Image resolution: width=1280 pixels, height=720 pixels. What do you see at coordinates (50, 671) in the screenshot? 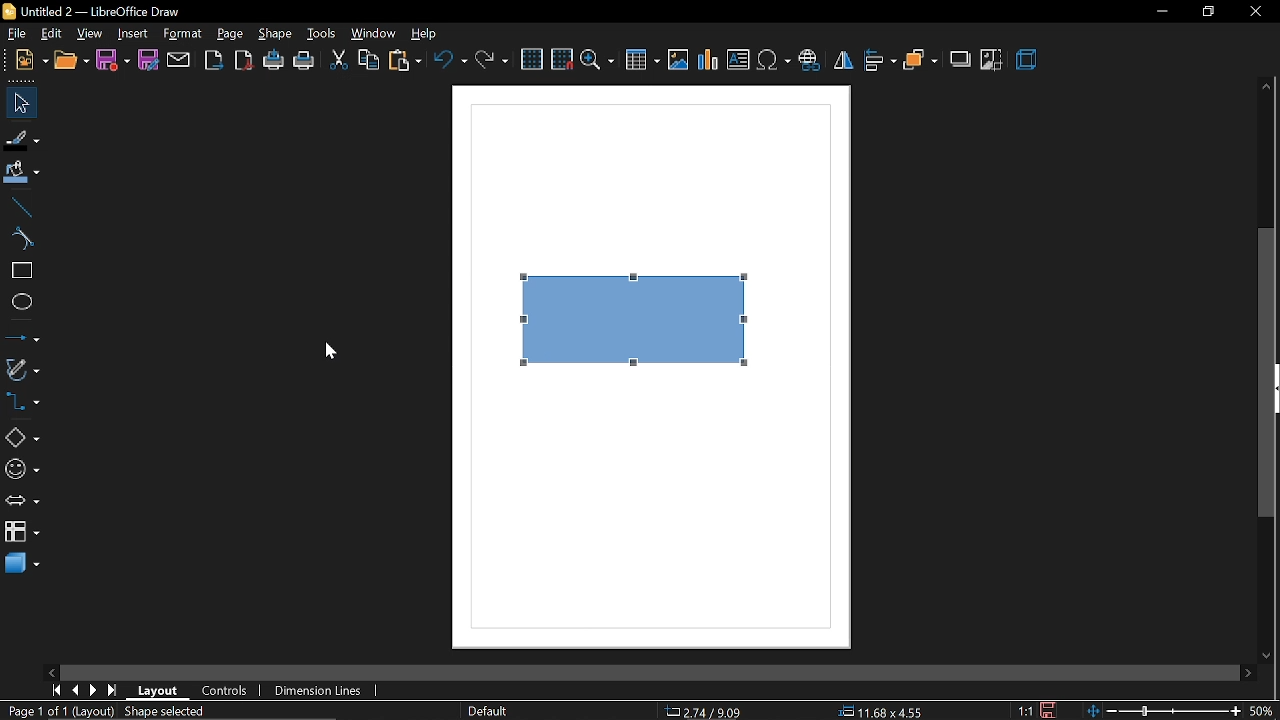
I see `move left` at bounding box center [50, 671].